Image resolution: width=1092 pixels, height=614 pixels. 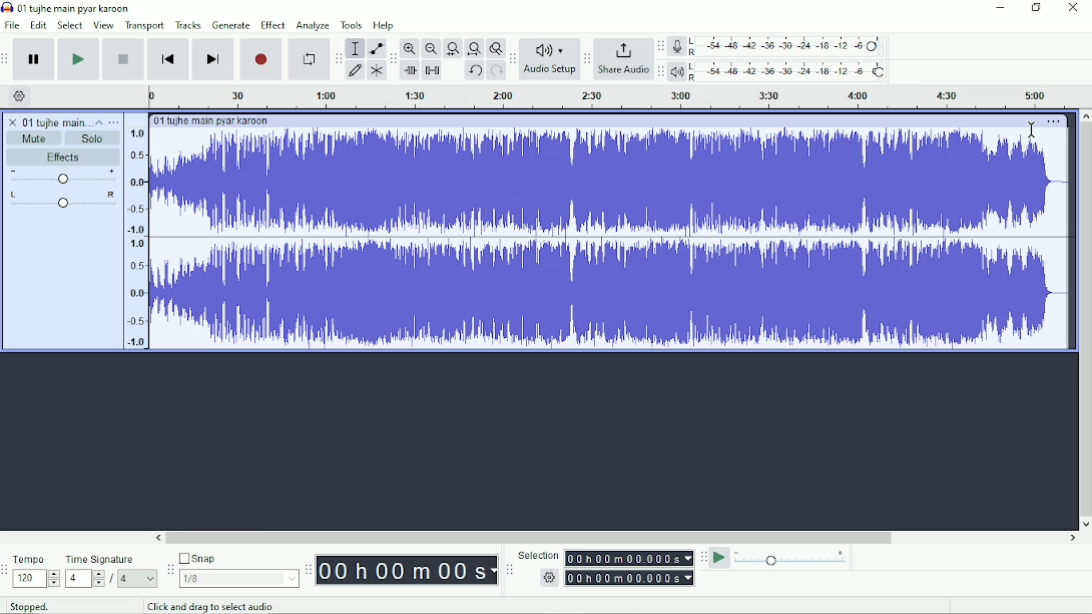 I want to click on Solo, so click(x=93, y=139).